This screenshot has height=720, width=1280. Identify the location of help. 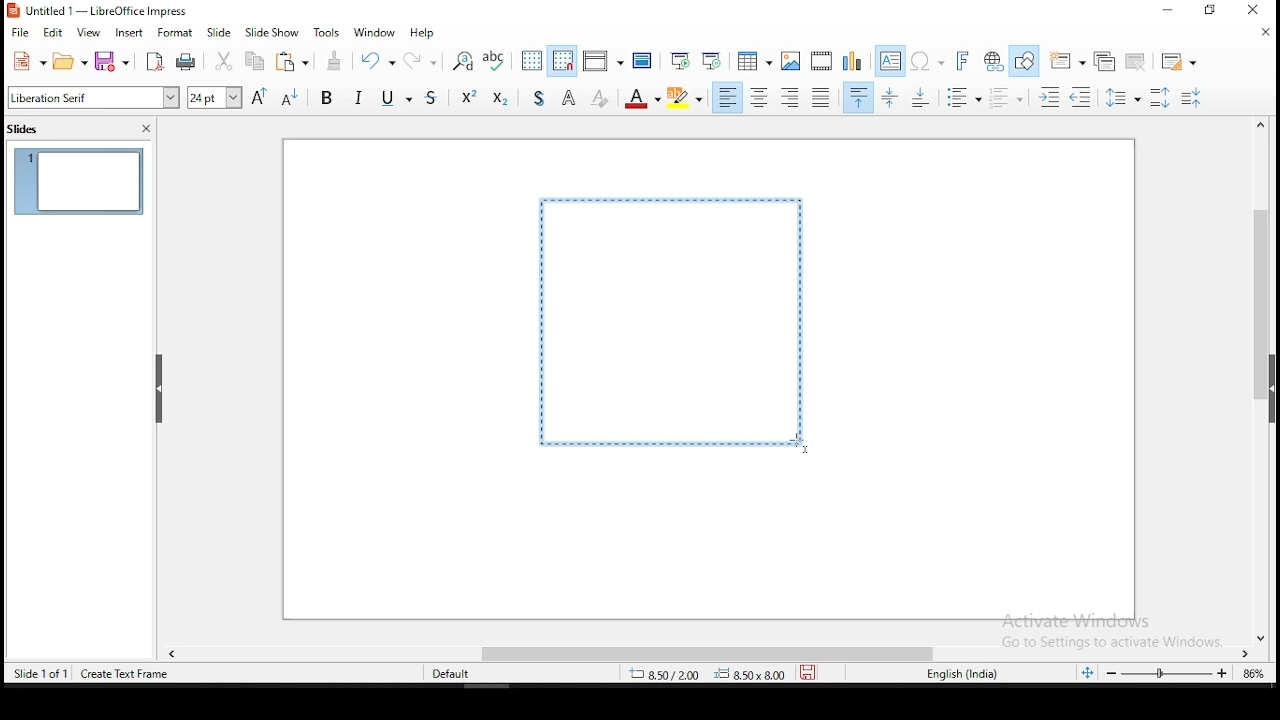
(424, 30).